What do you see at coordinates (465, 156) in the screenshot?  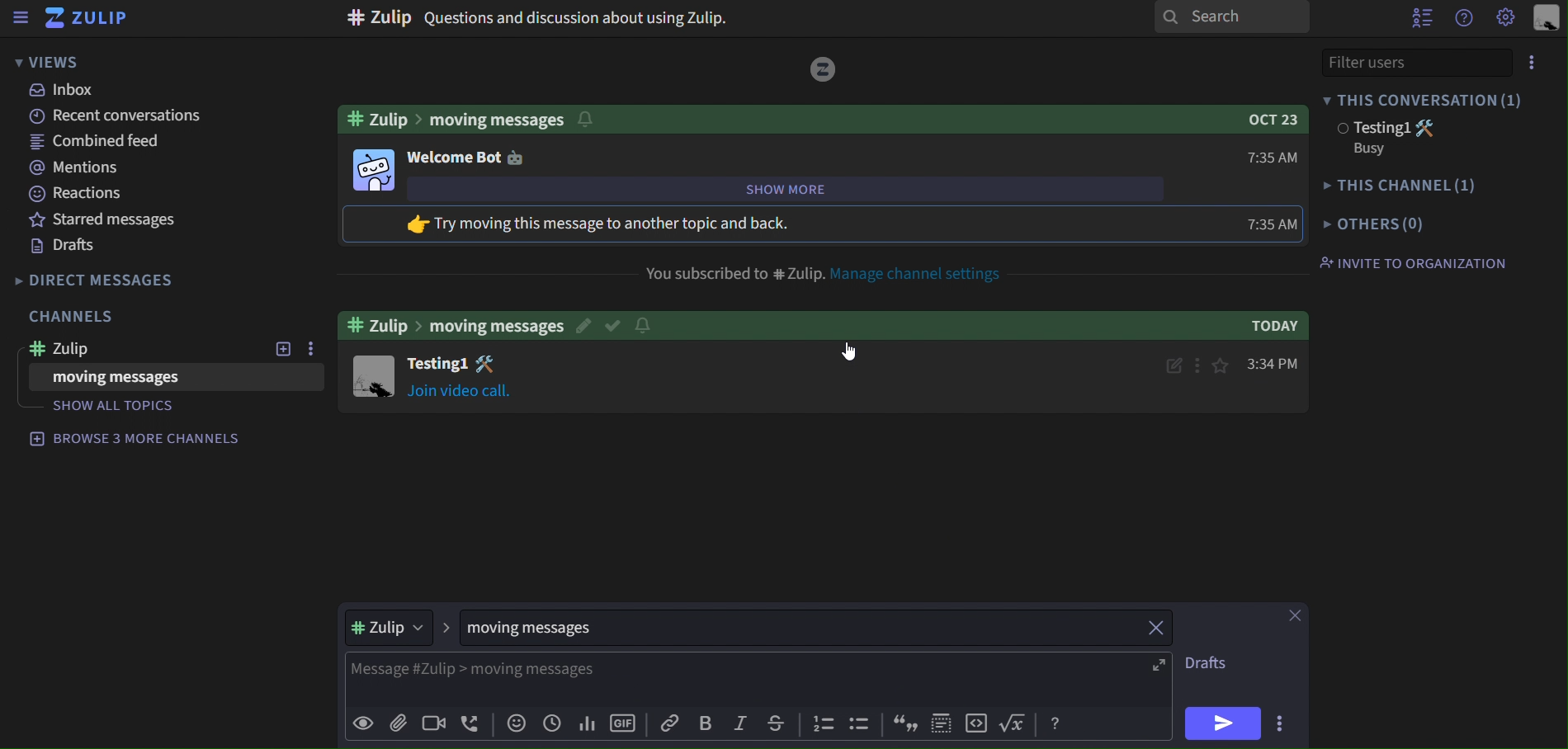 I see `welcome bot` at bounding box center [465, 156].